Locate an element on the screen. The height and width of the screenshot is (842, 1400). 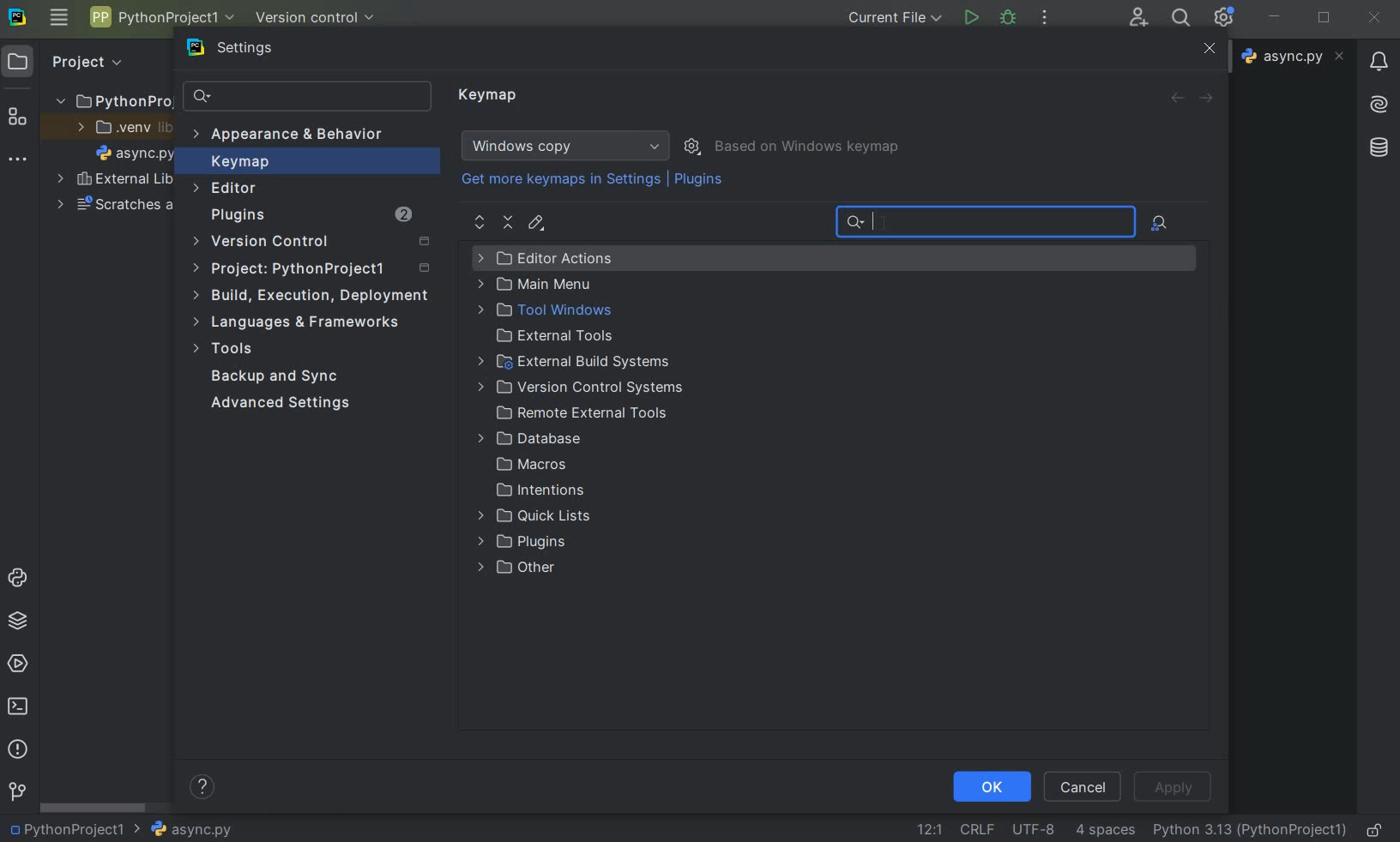
ide and project settings is located at coordinates (1225, 17).